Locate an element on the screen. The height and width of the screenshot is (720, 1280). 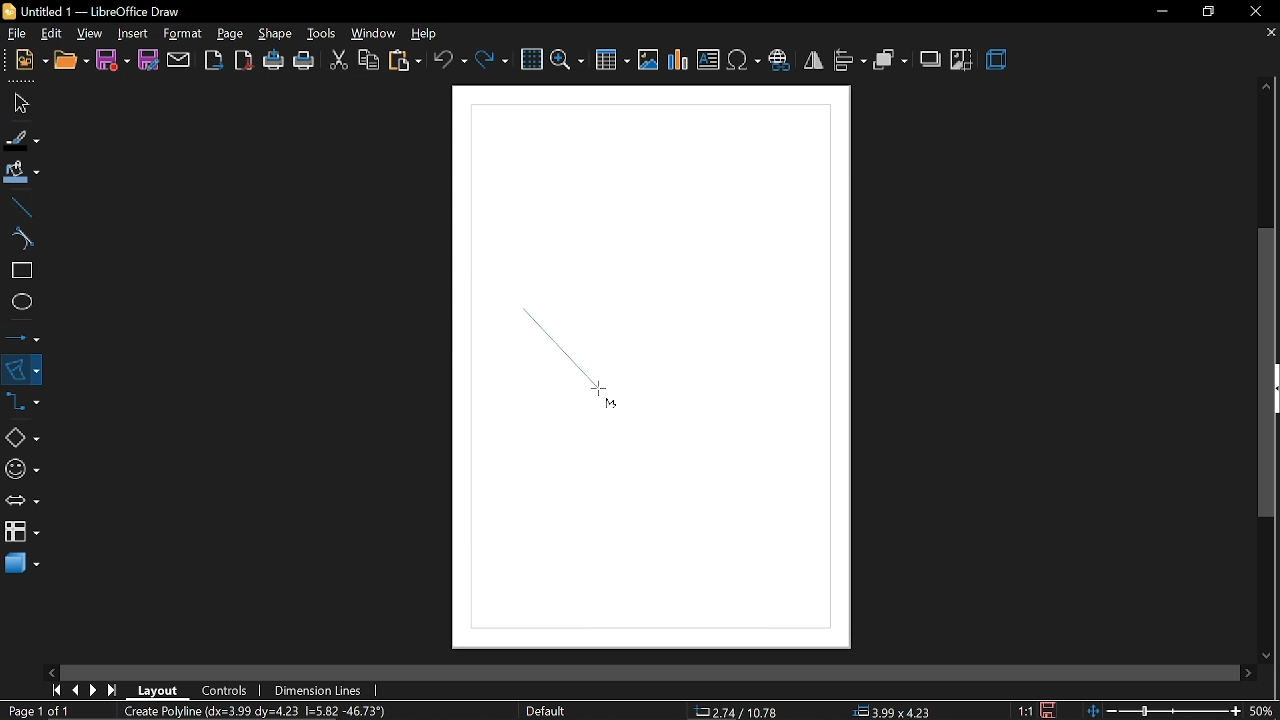
vertical scrollbar is located at coordinates (1268, 373).